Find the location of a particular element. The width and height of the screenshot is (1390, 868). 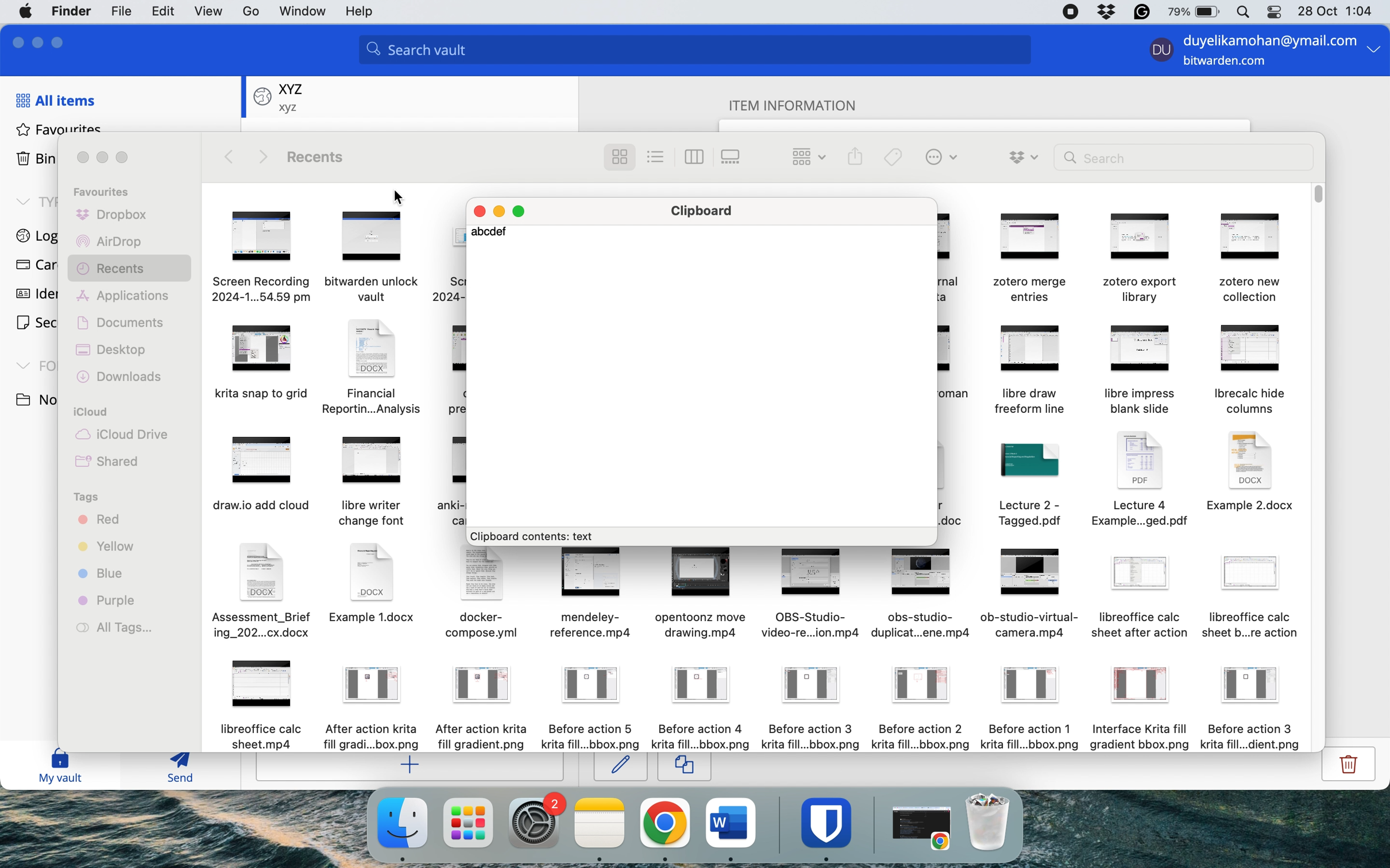

add item is located at coordinates (411, 768).